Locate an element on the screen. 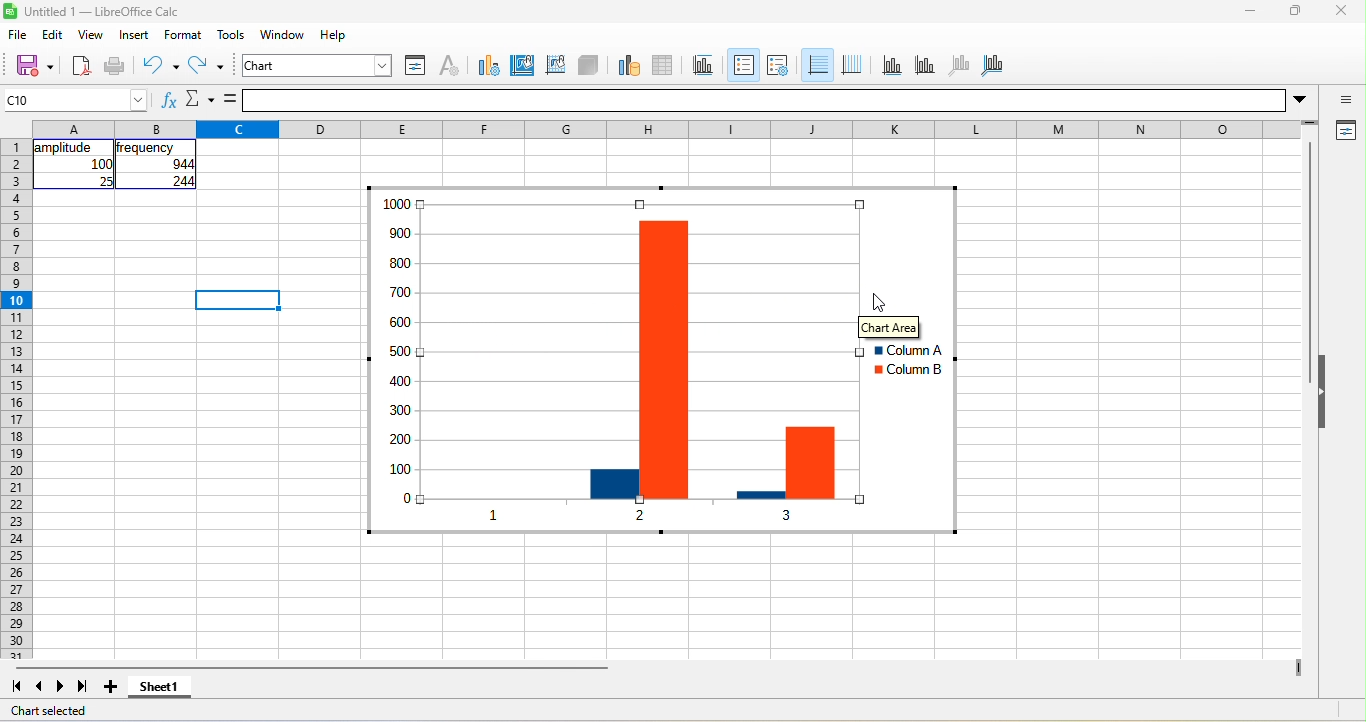 The image size is (1366, 722). maximize is located at coordinates (1292, 13).